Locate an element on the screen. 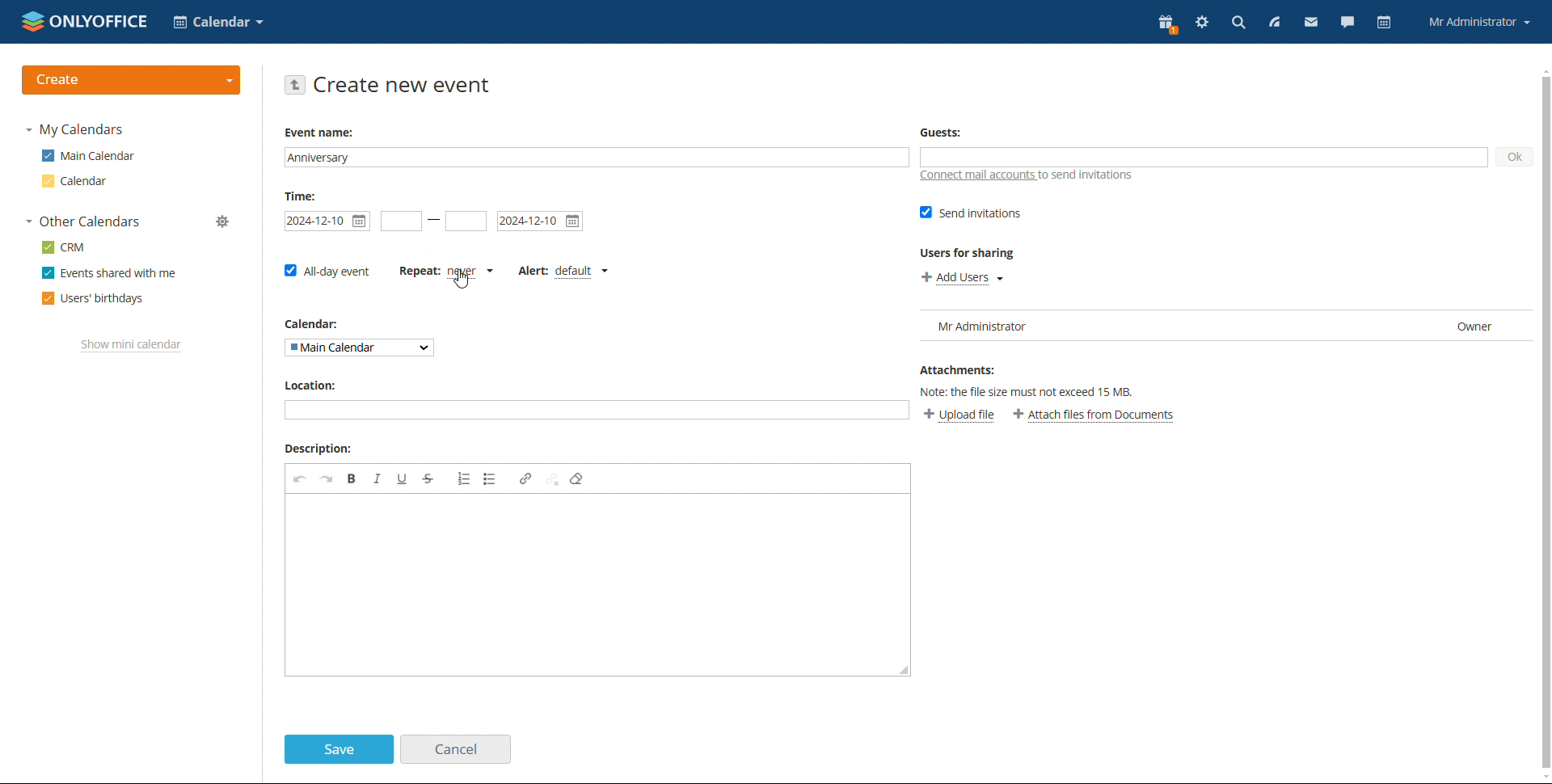 This screenshot has height=784, width=1552. end time is located at coordinates (466, 221).